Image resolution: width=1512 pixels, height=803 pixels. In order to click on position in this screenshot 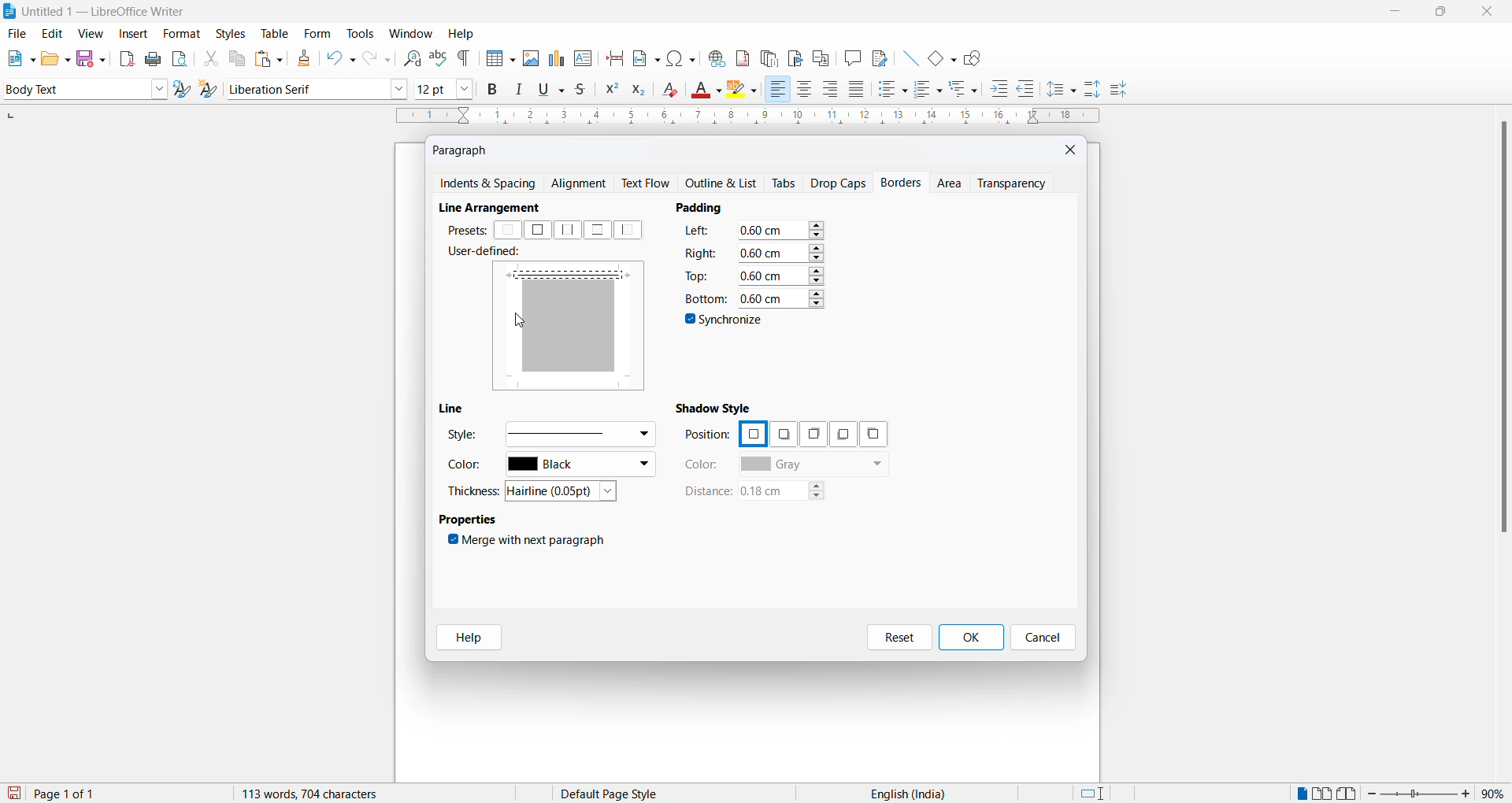, I will do `click(707, 435)`.